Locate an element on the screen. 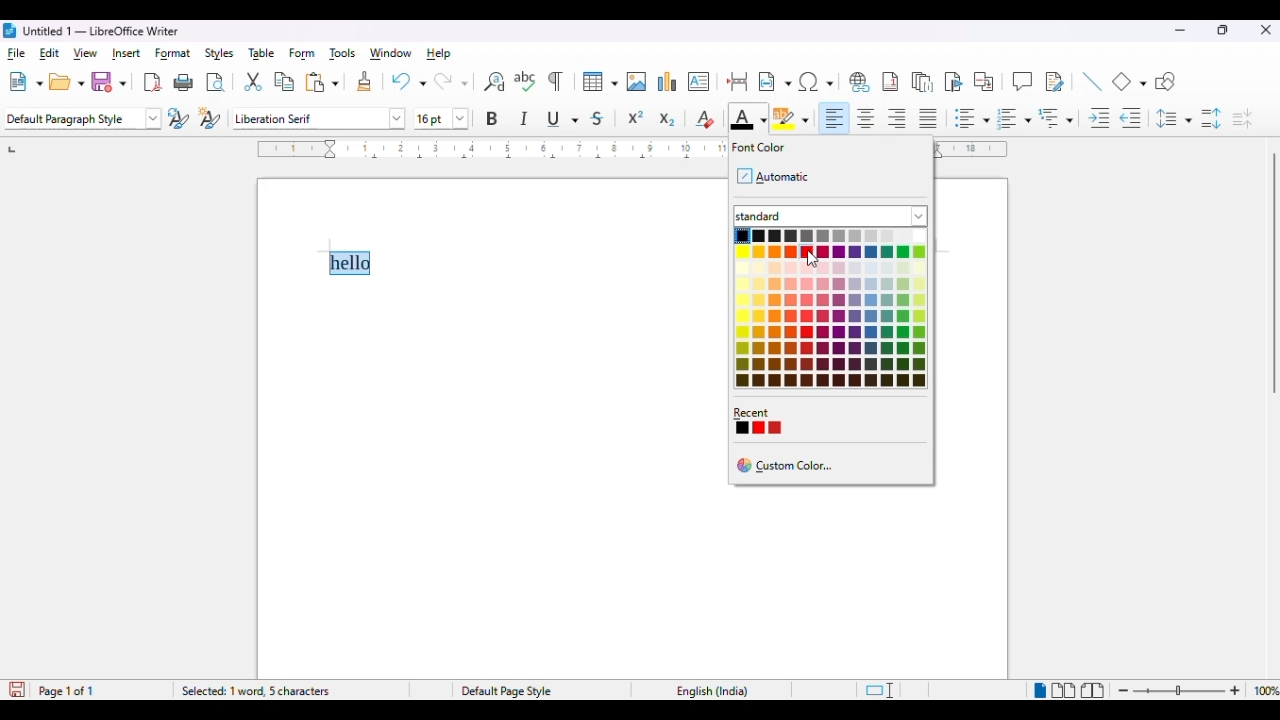 The height and width of the screenshot is (720, 1280). check spelling is located at coordinates (526, 81).